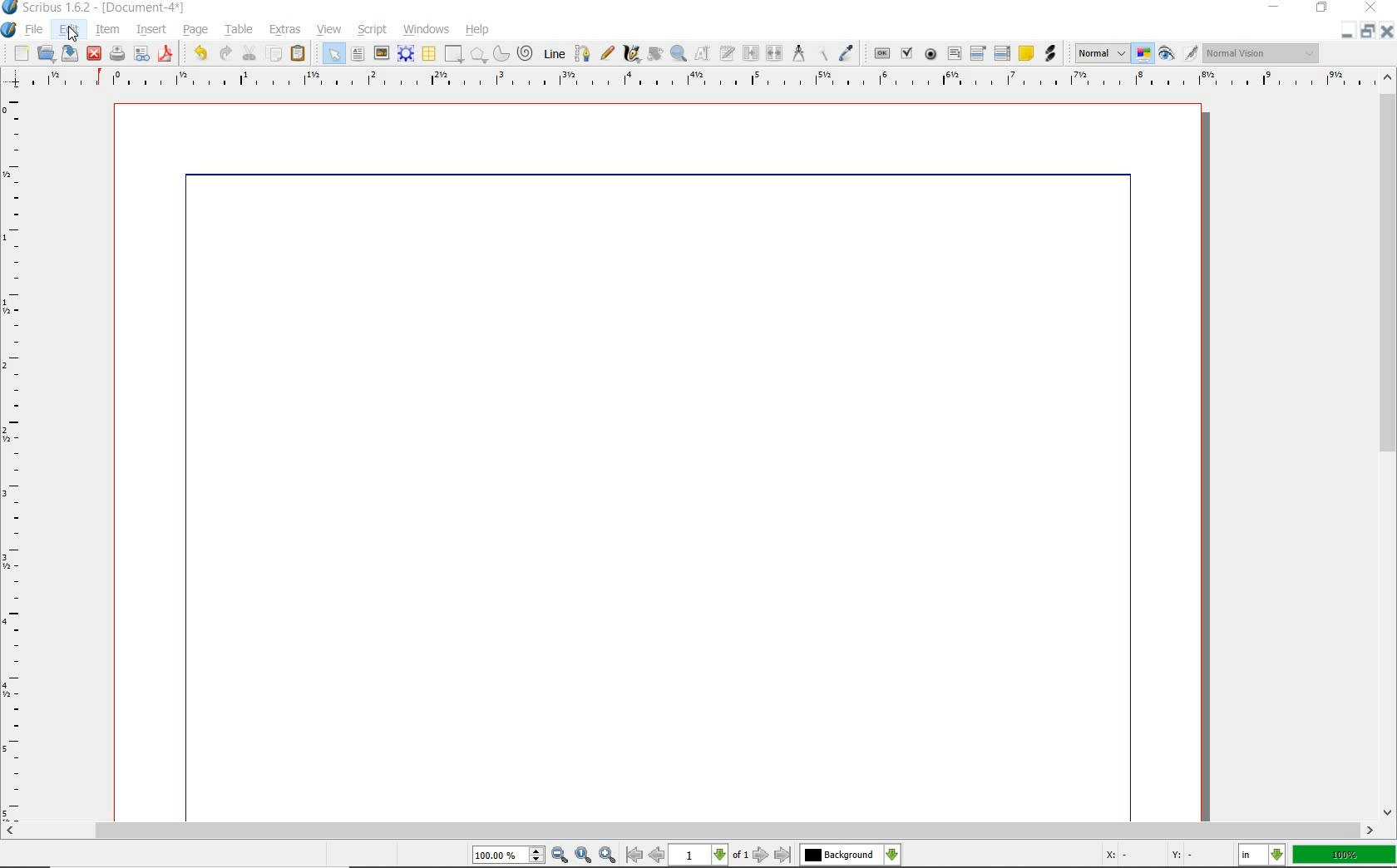 Image resolution: width=1397 pixels, height=868 pixels. I want to click on insert, so click(151, 29).